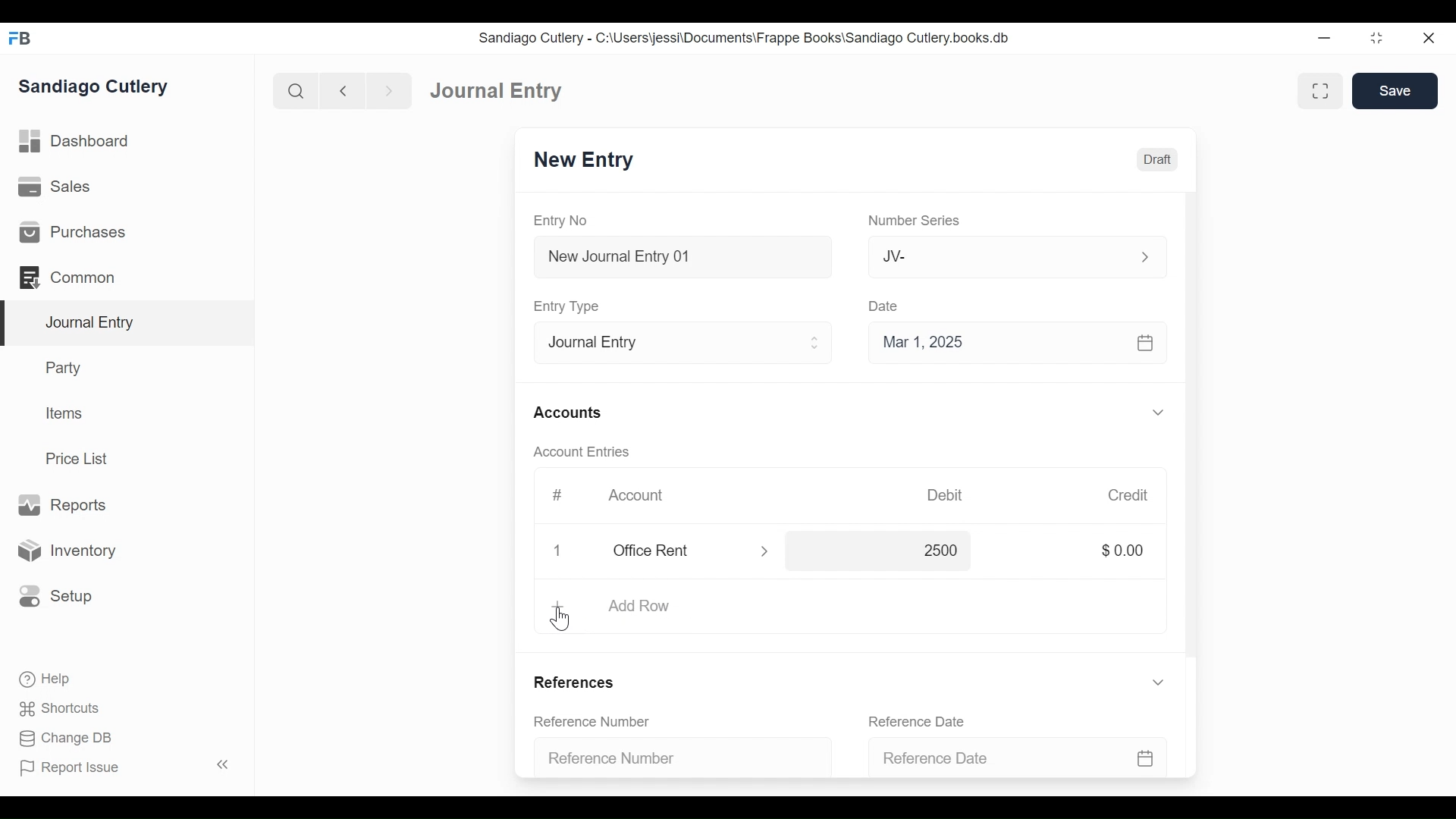 The width and height of the screenshot is (1456, 819). What do you see at coordinates (837, 608) in the screenshot?
I see `Add Row` at bounding box center [837, 608].